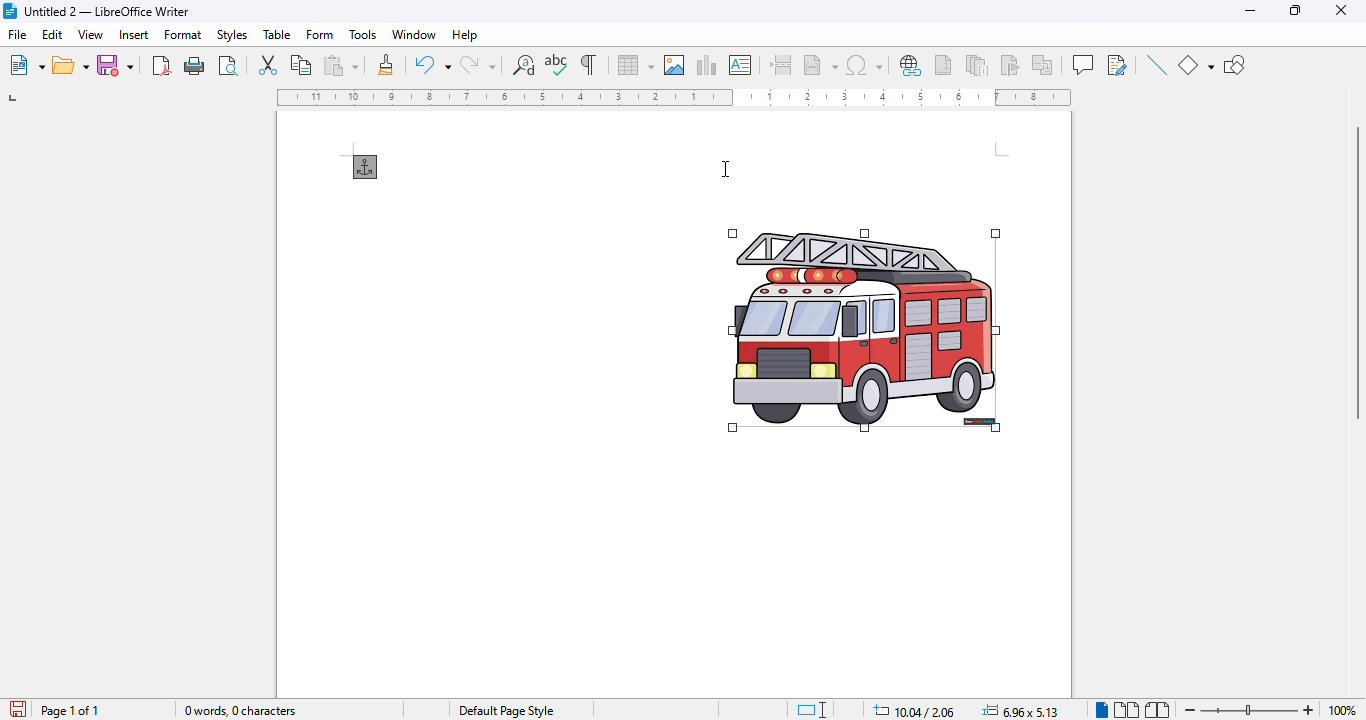  Describe the element at coordinates (107, 11) in the screenshot. I see `title` at that location.